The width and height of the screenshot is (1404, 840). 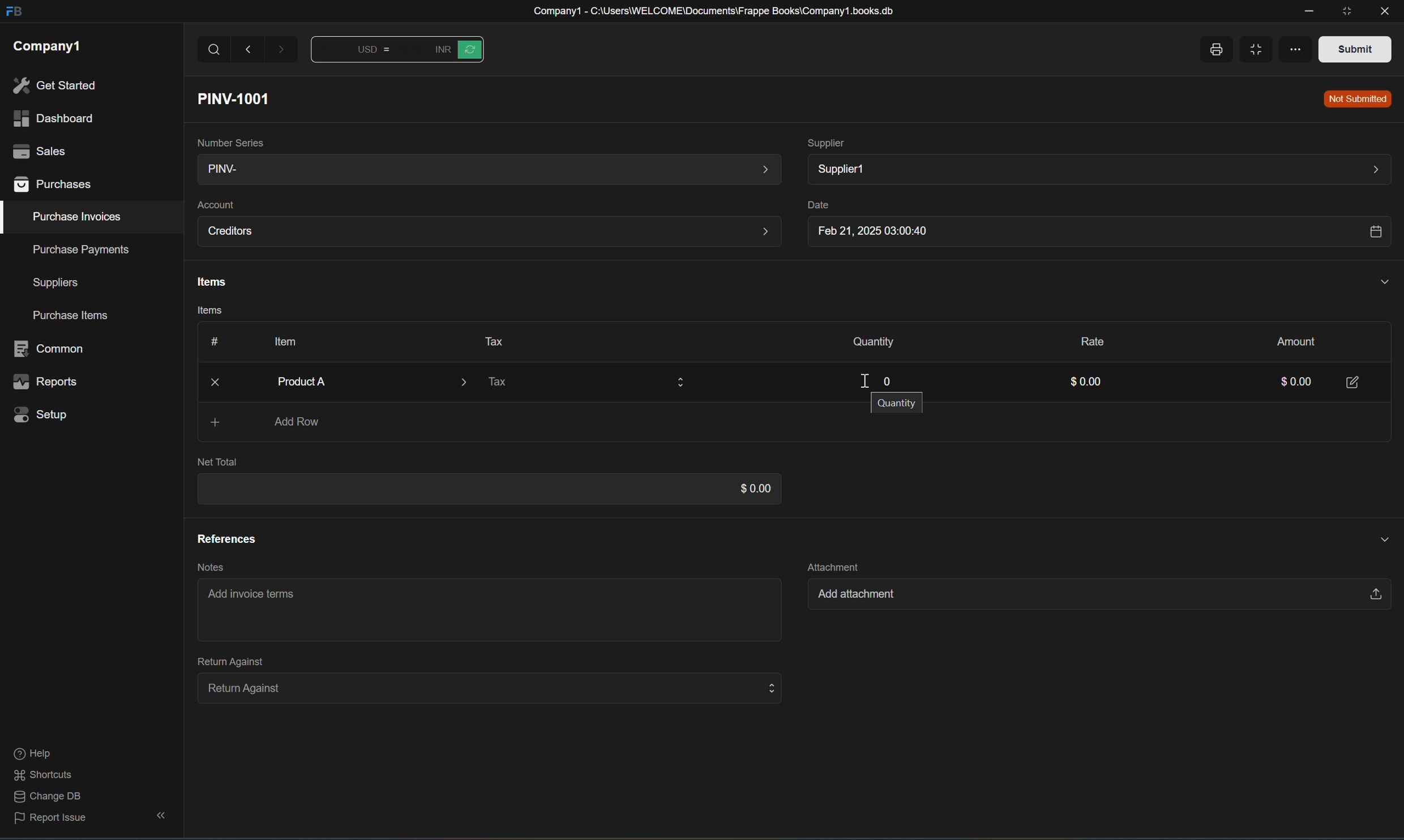 What do you see at coordinates (485, 170) in the screenshot?
I see `PINV-` at bounding box center [485, 170].